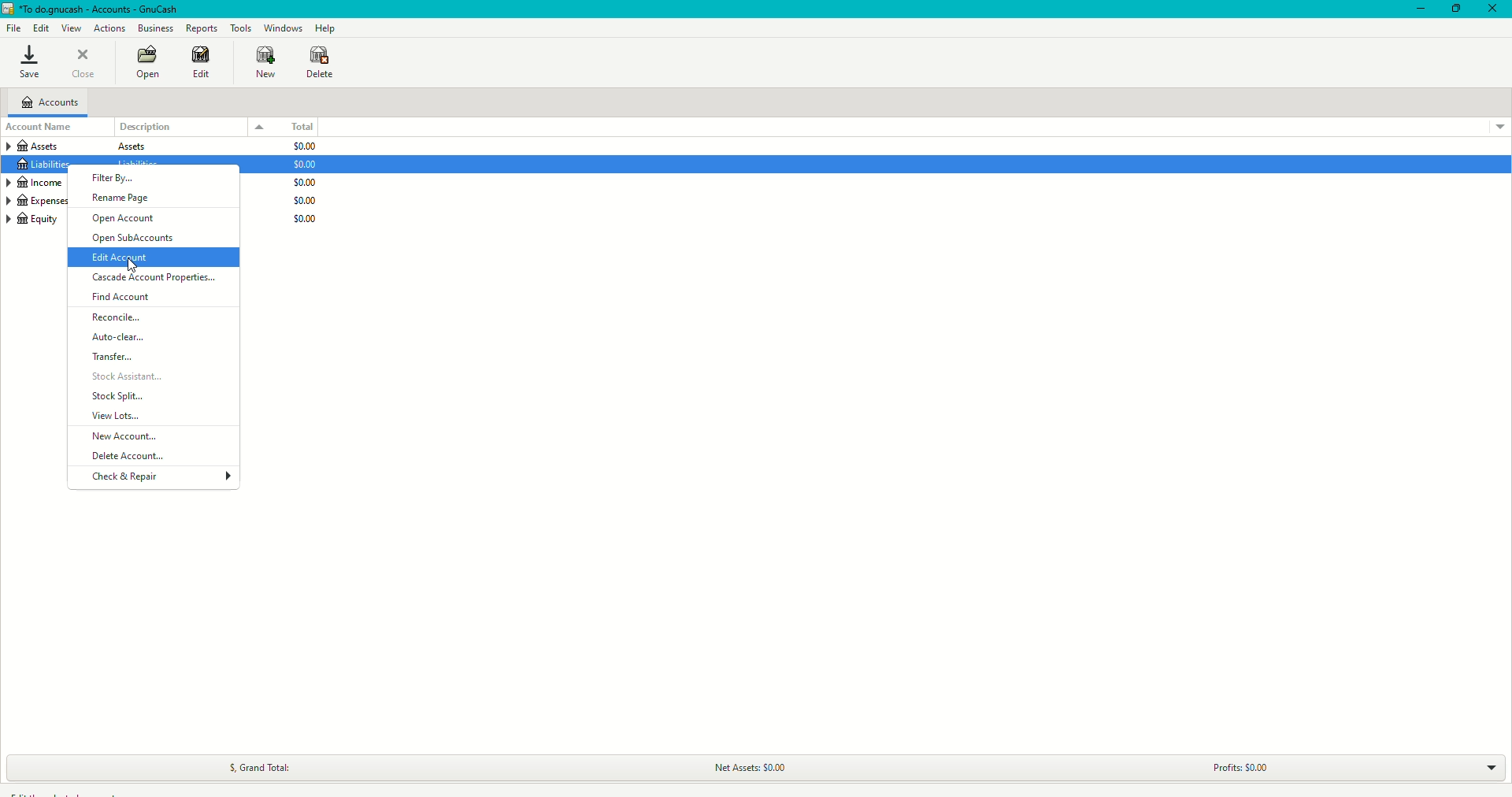 Image resolution: width=1512 pixels, height=797 pixels. What do you see at coordinates (135, 438) in the screenshot?
I see `New Account` at bounding box center [135, 438].